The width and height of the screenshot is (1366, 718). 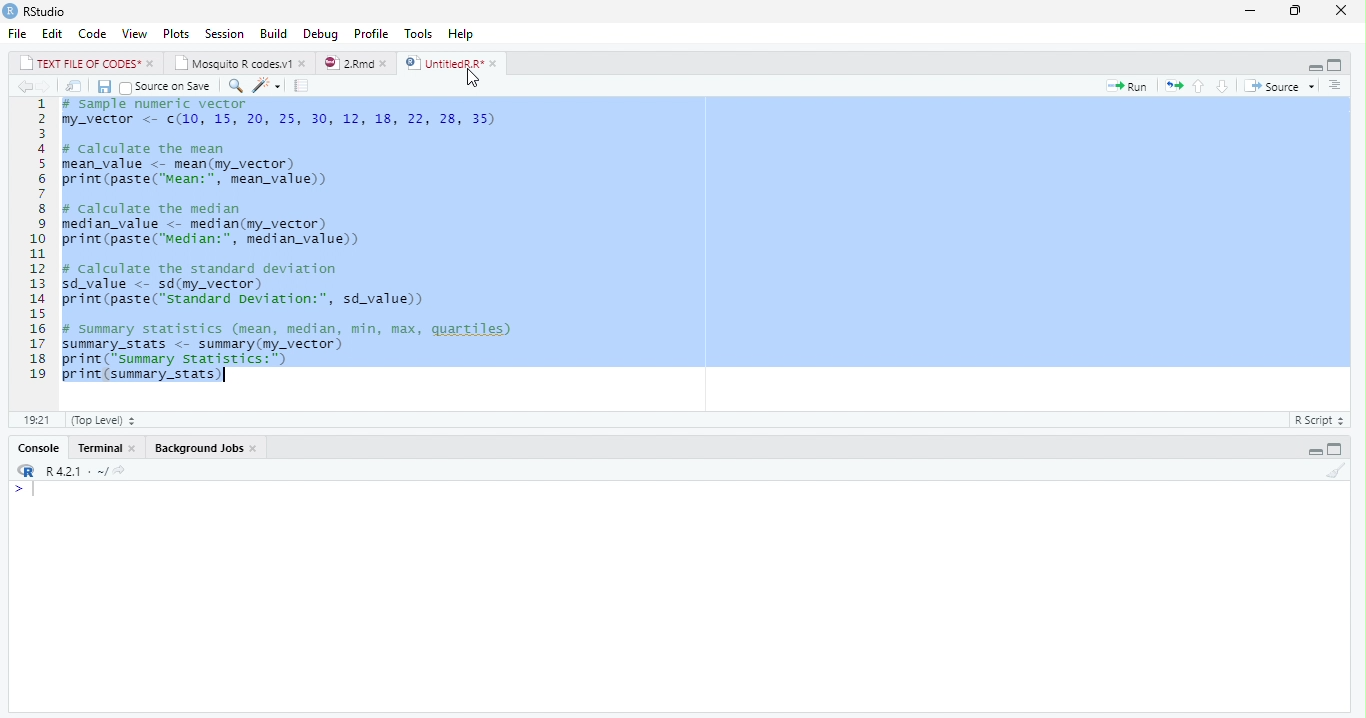 I want to click on close, so click(x=388, y=64).